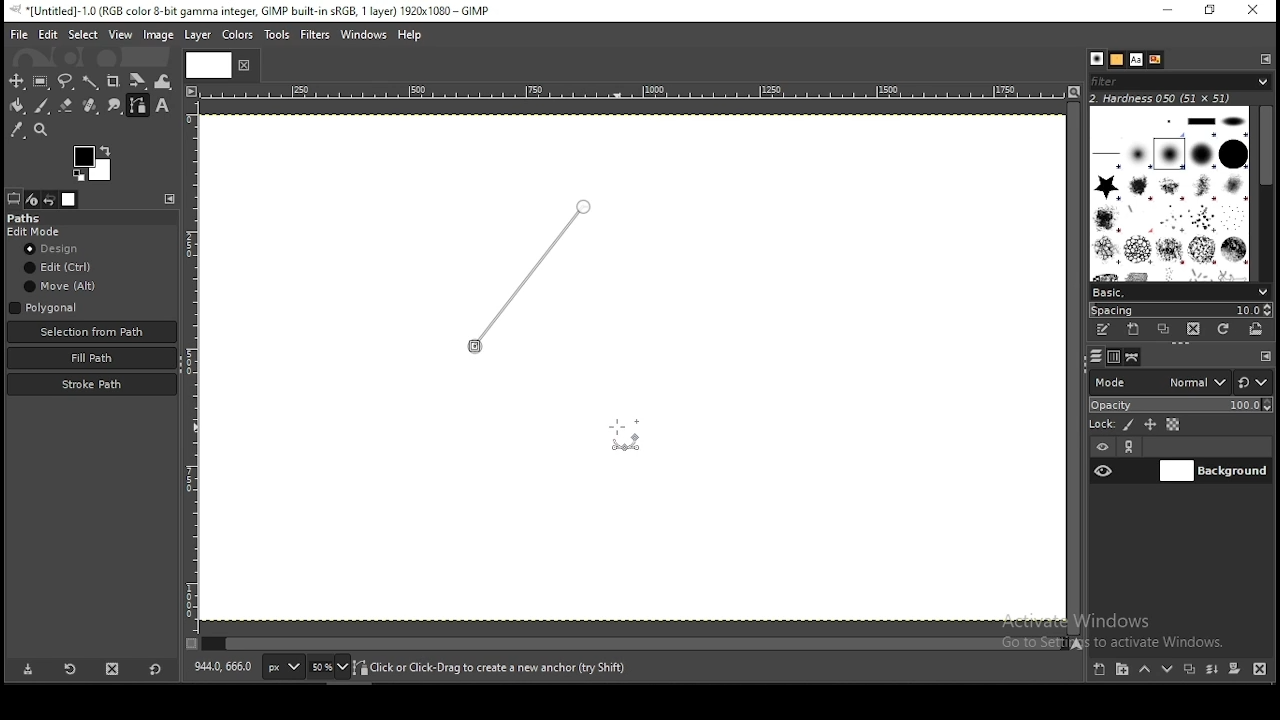 Image resolution: width=1280 pixels, height=720 pixels. Describe the element at coordinates (329, 667) in the screenshot. I see `zoom status` at that location.